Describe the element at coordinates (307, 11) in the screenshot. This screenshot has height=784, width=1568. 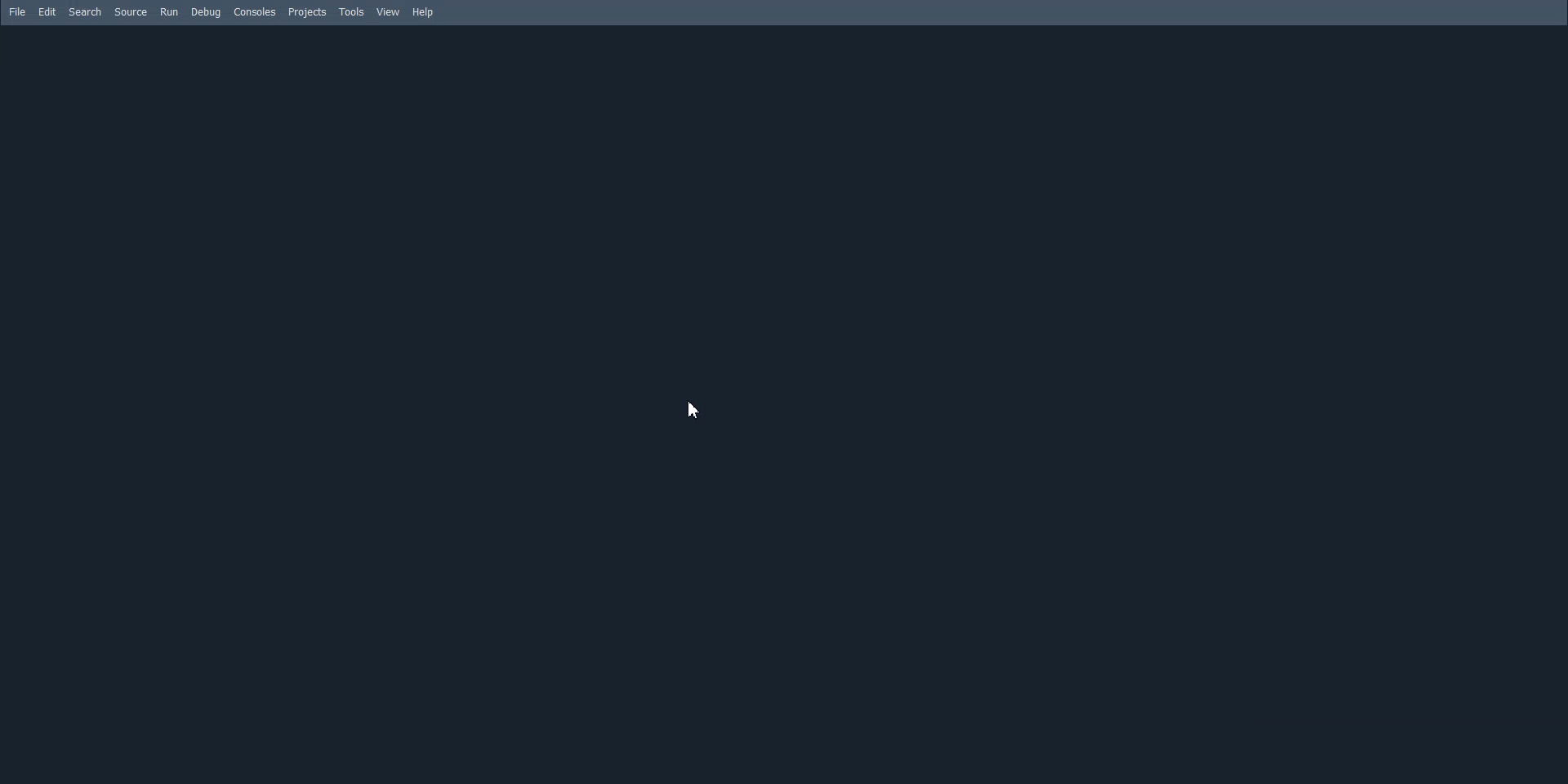
I see `Projects` at that location.